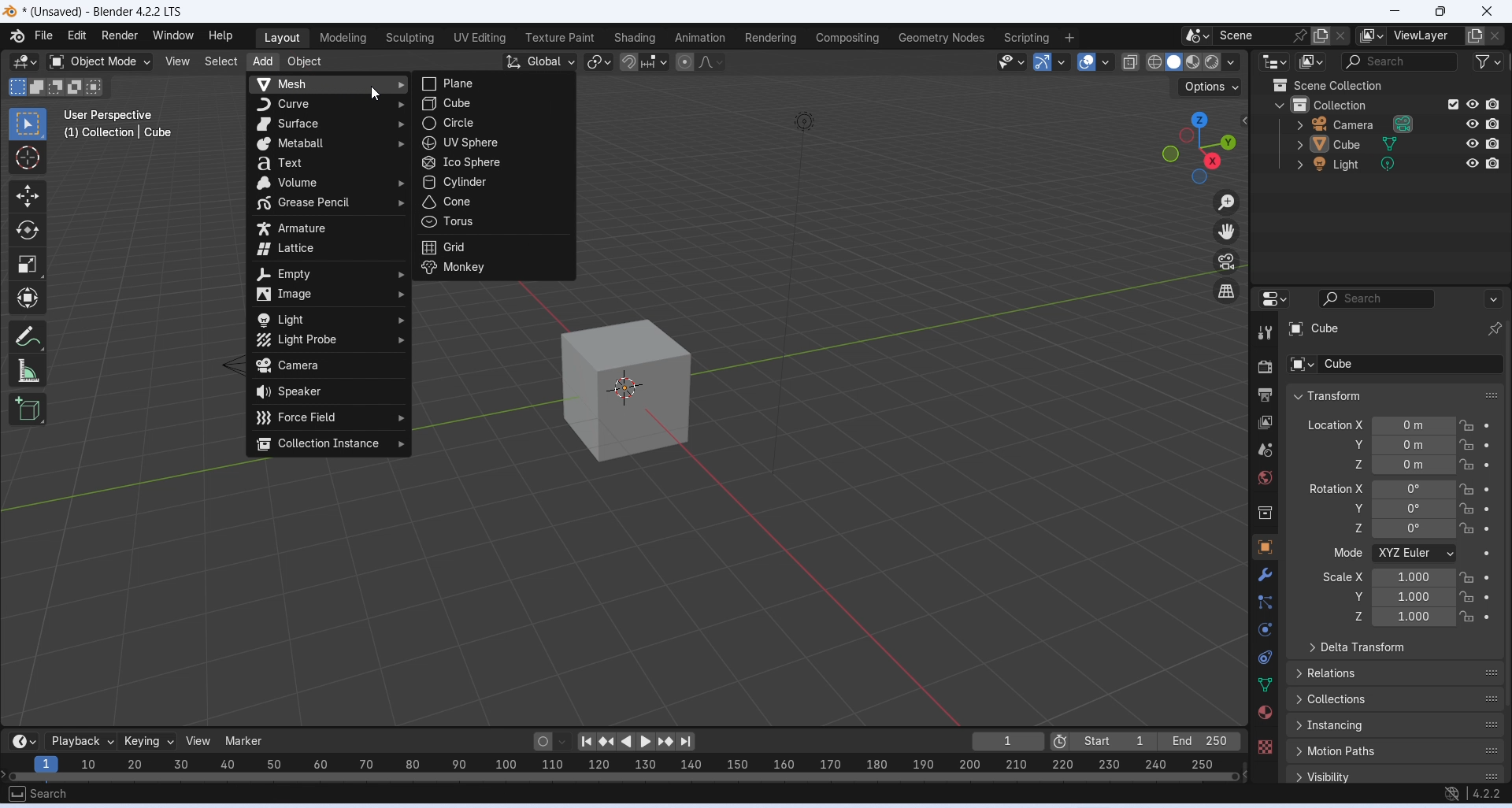 The height and width of the screenshot is (808, 1512). Describe the element at coordinates (57, 87) in the screenshot. I see `Modes` at that location.